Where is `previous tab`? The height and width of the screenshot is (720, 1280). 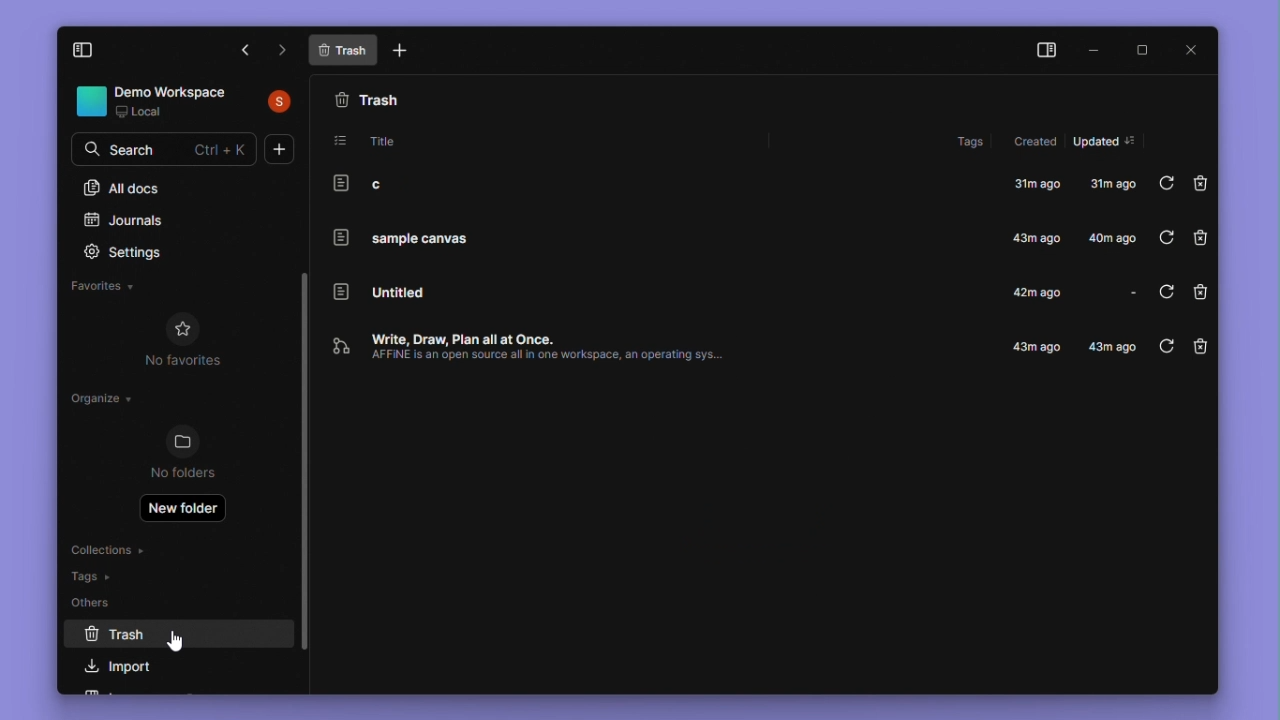 previous tab is located at coordinates (243, 49).